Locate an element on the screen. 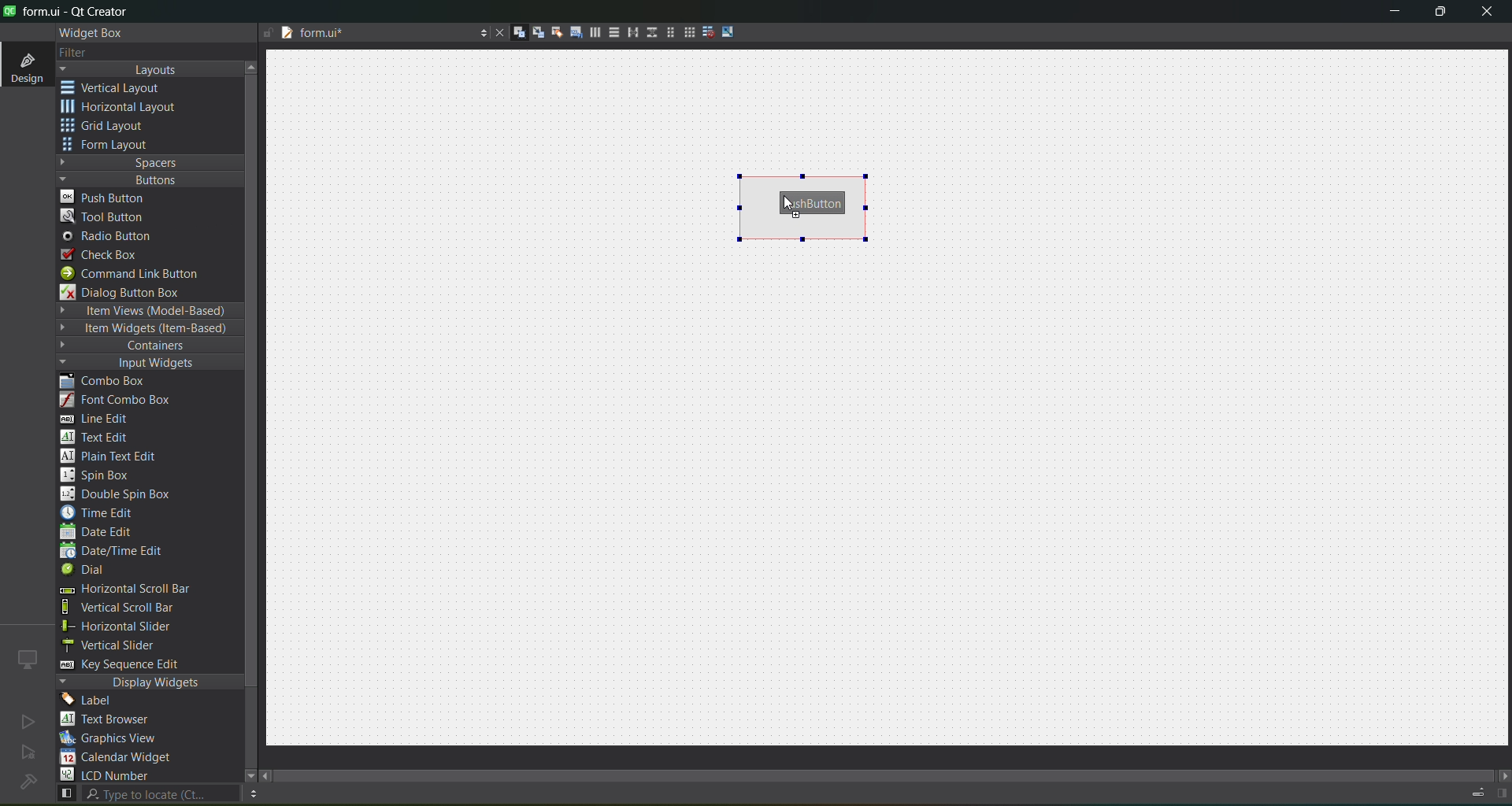 Image resolution: width=1512 pixels, height=806 pixels. layout in a grid is located at coordinates (684, 32).